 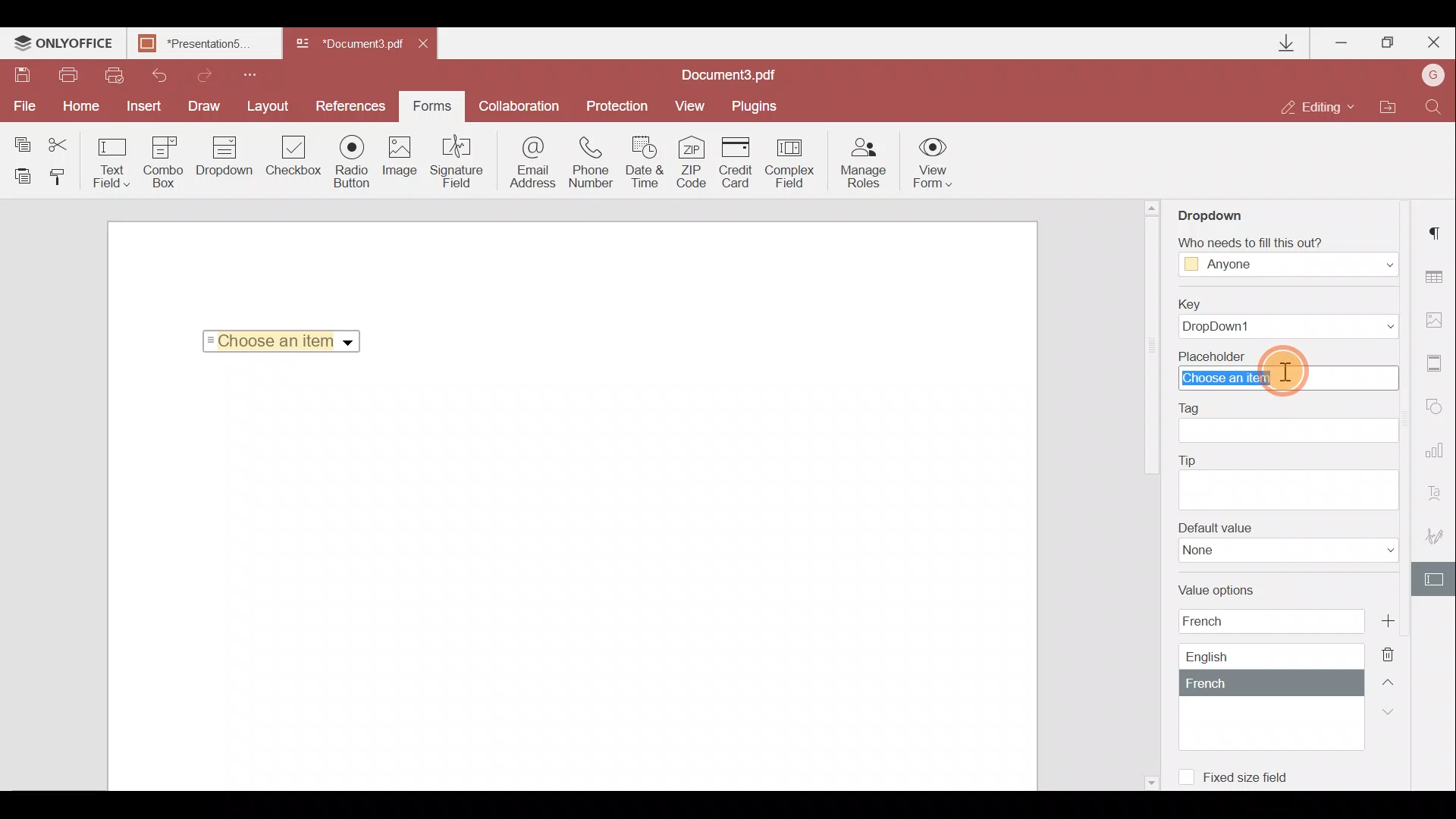 I want to click on Phone number, so click(x=593, y=163).